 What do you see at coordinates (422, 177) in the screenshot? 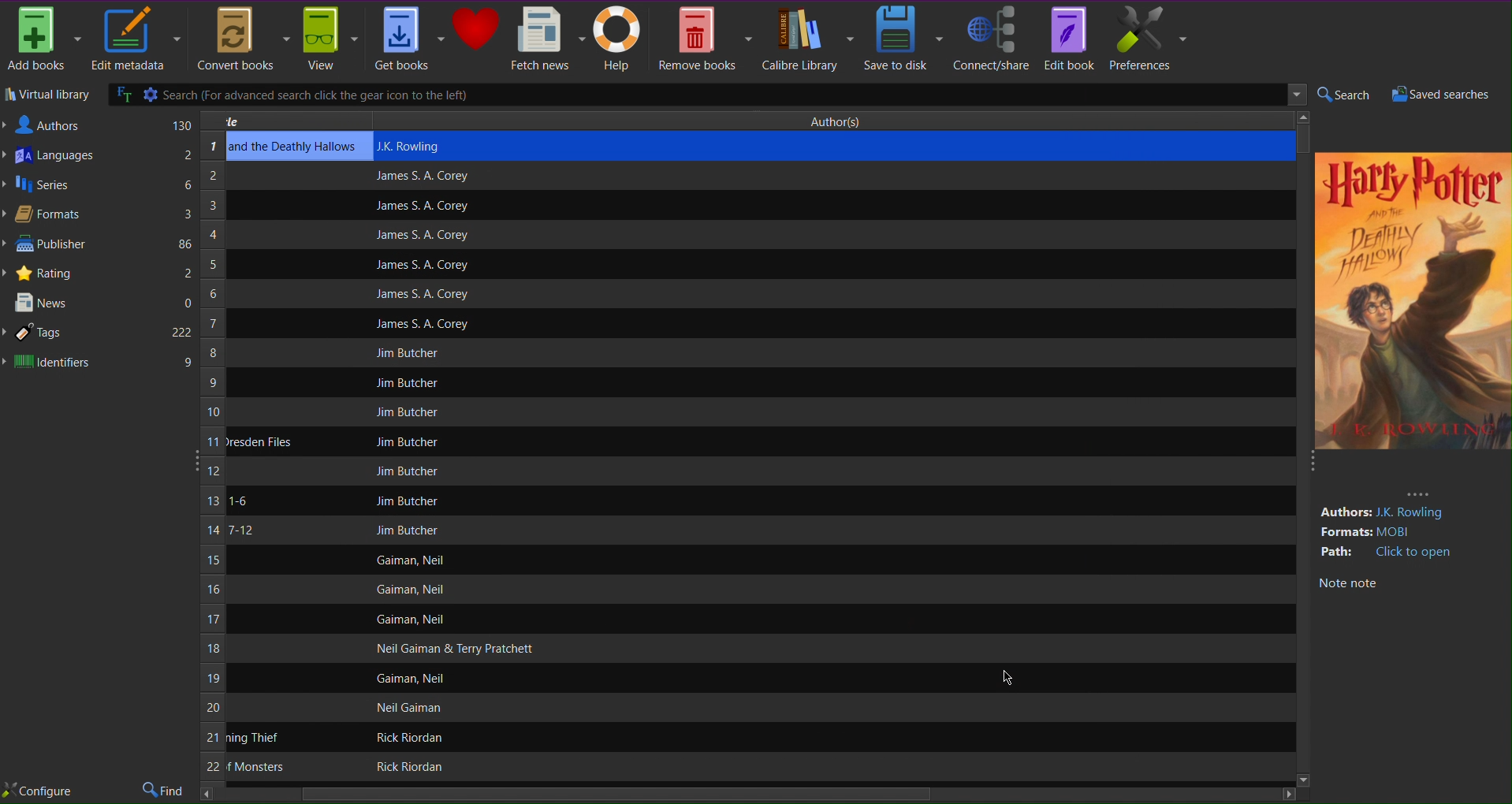
I see `James S. A. Corey` at bounding box center [422, 177].